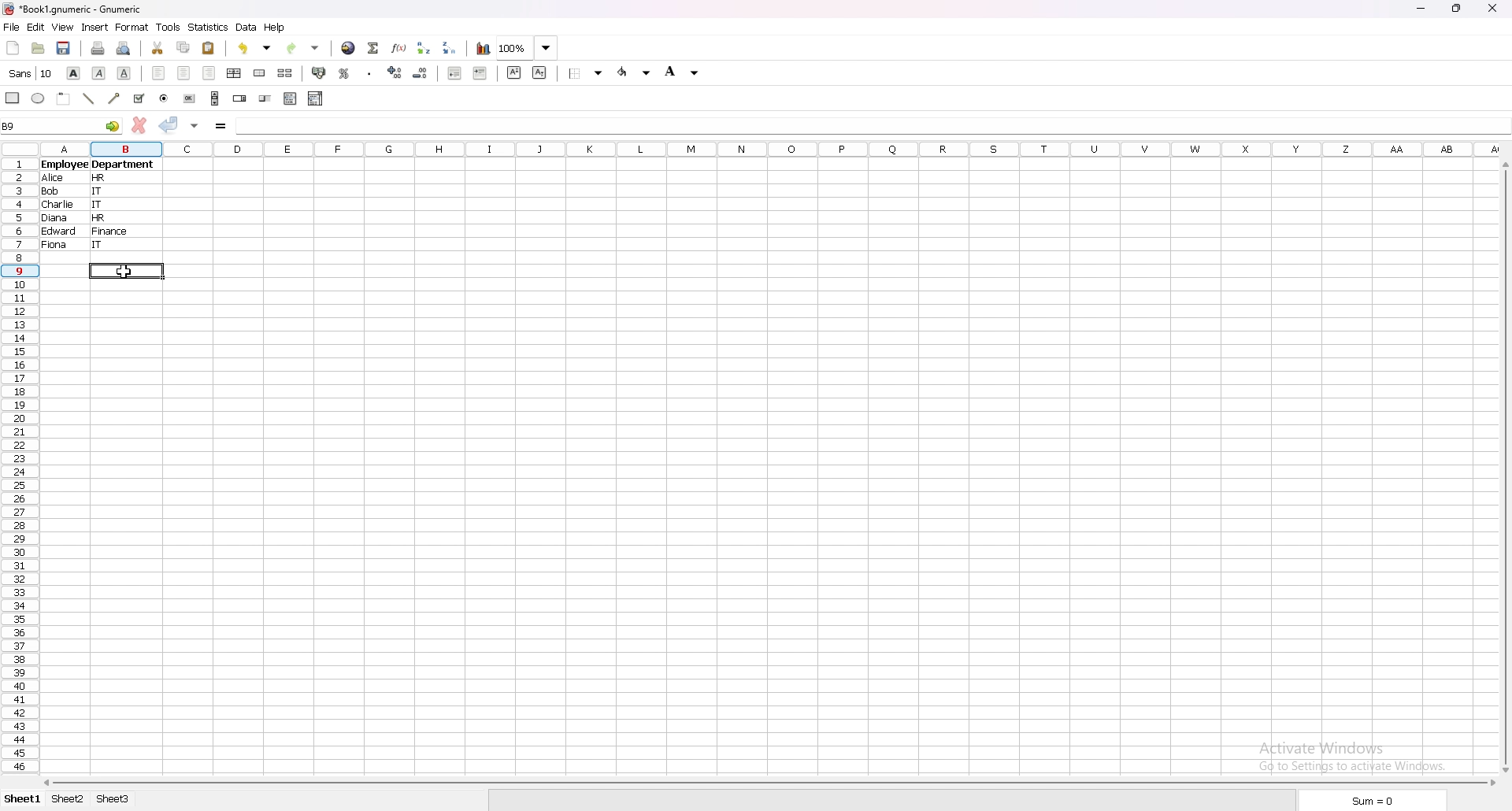  What do you see at coordinates (373, 47) in the screenshot?
I see `summation` at bounding box center [373, 47].